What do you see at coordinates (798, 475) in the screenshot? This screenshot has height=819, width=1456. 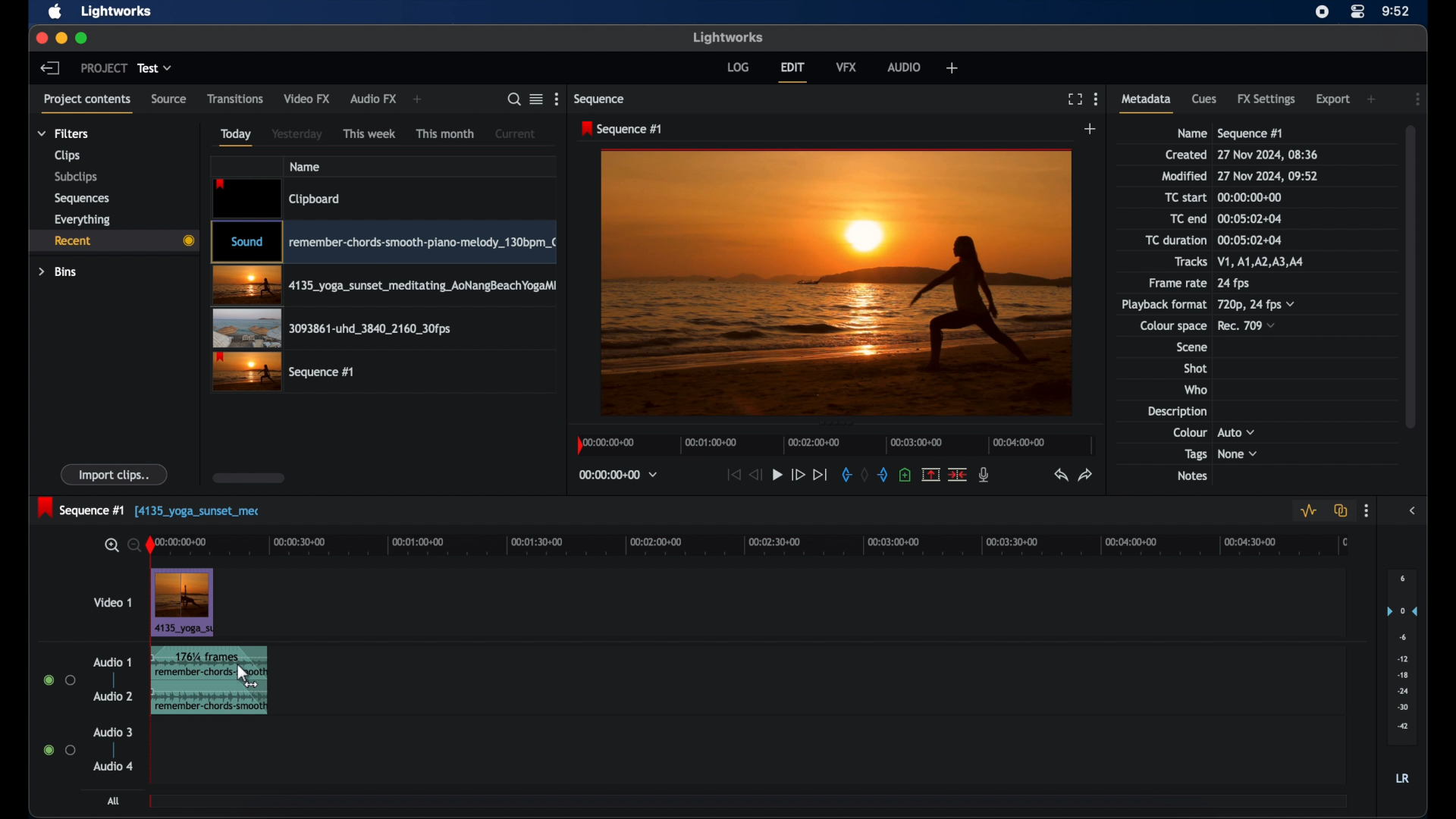 I see `fast forward` at bounding box center [798, 475].